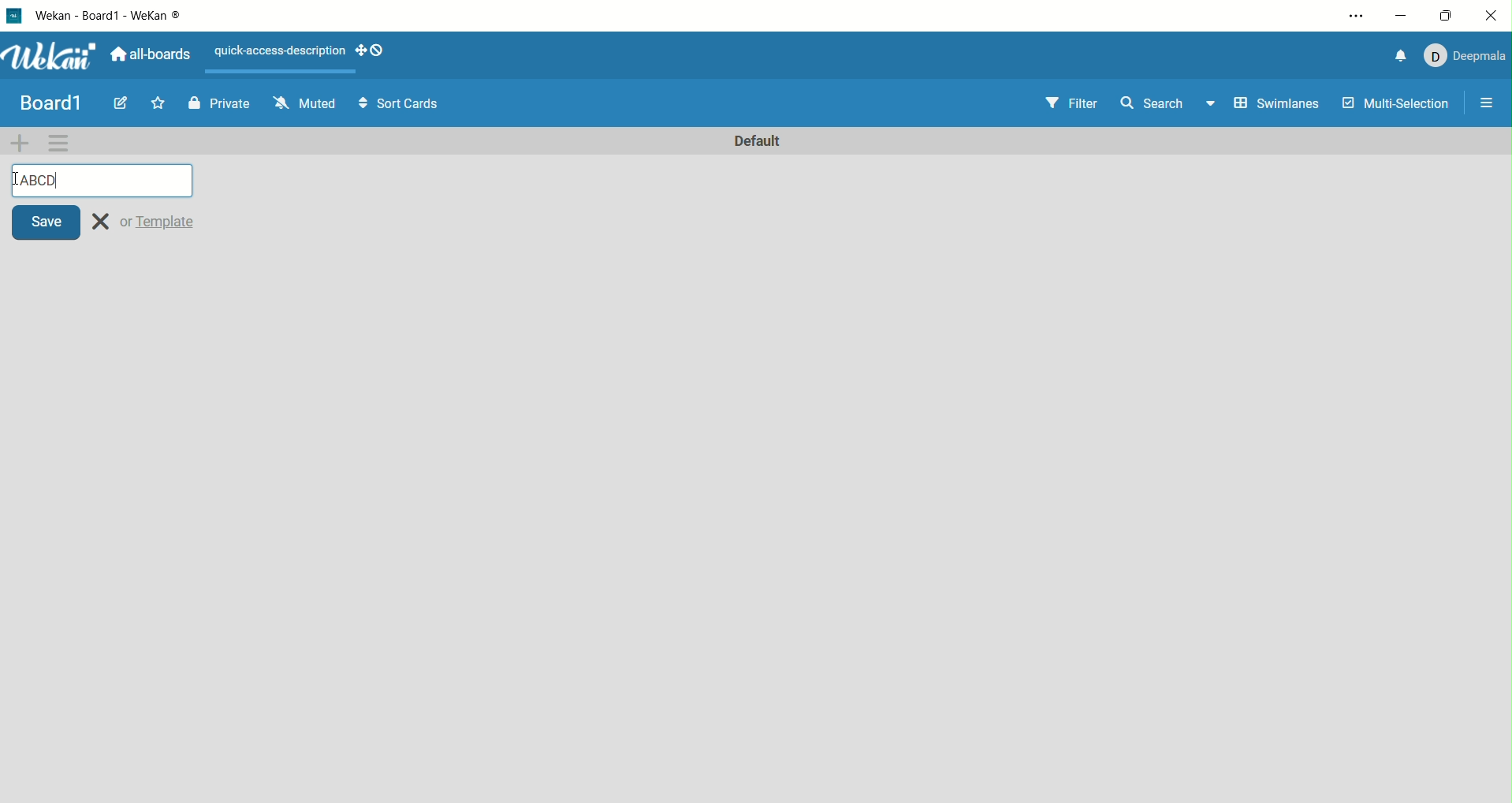 The image size is (1512, 803). I want to click on close, so click(1492, 14).